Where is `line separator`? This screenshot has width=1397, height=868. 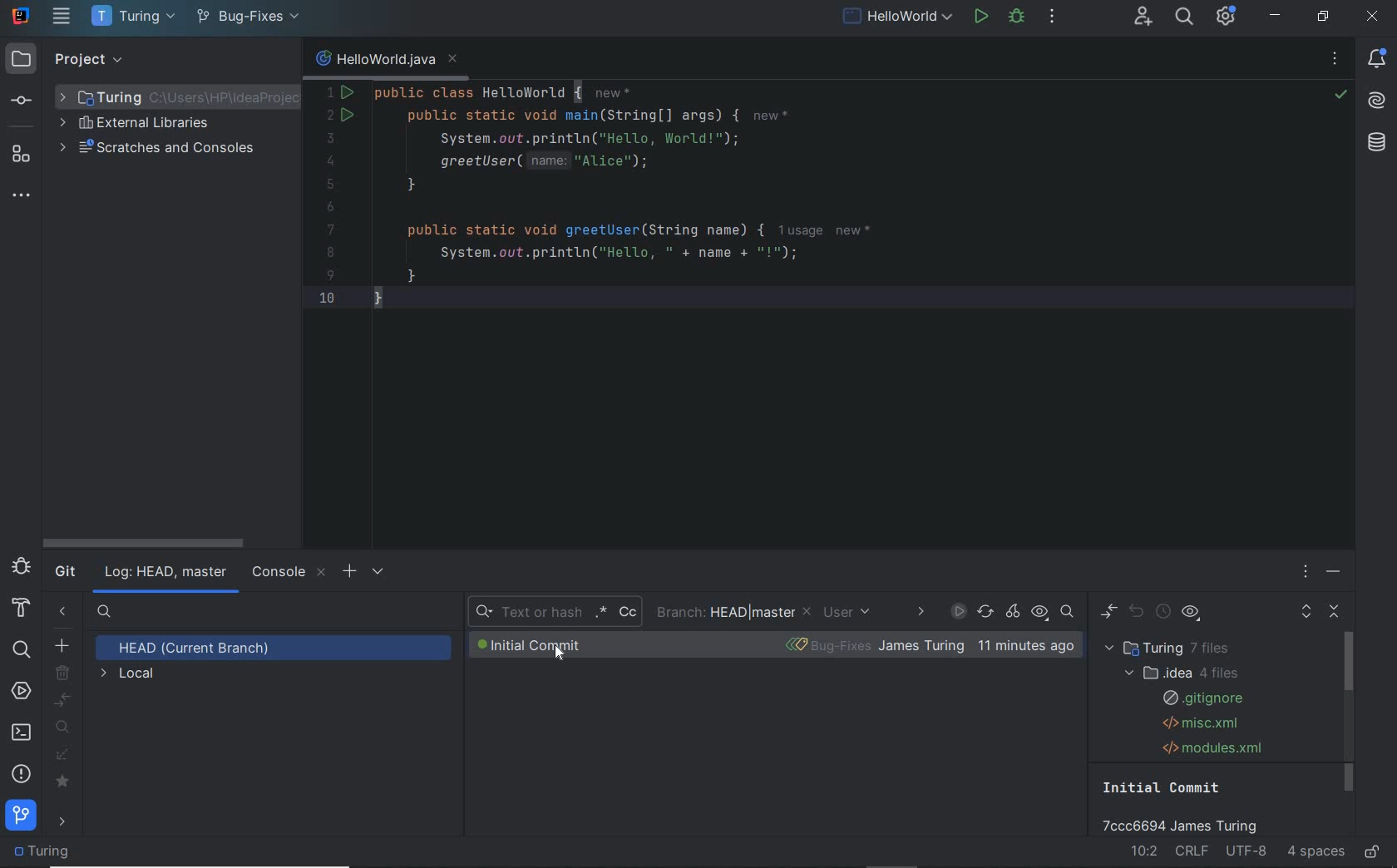 line separator is located at coordinates (1194, 852).